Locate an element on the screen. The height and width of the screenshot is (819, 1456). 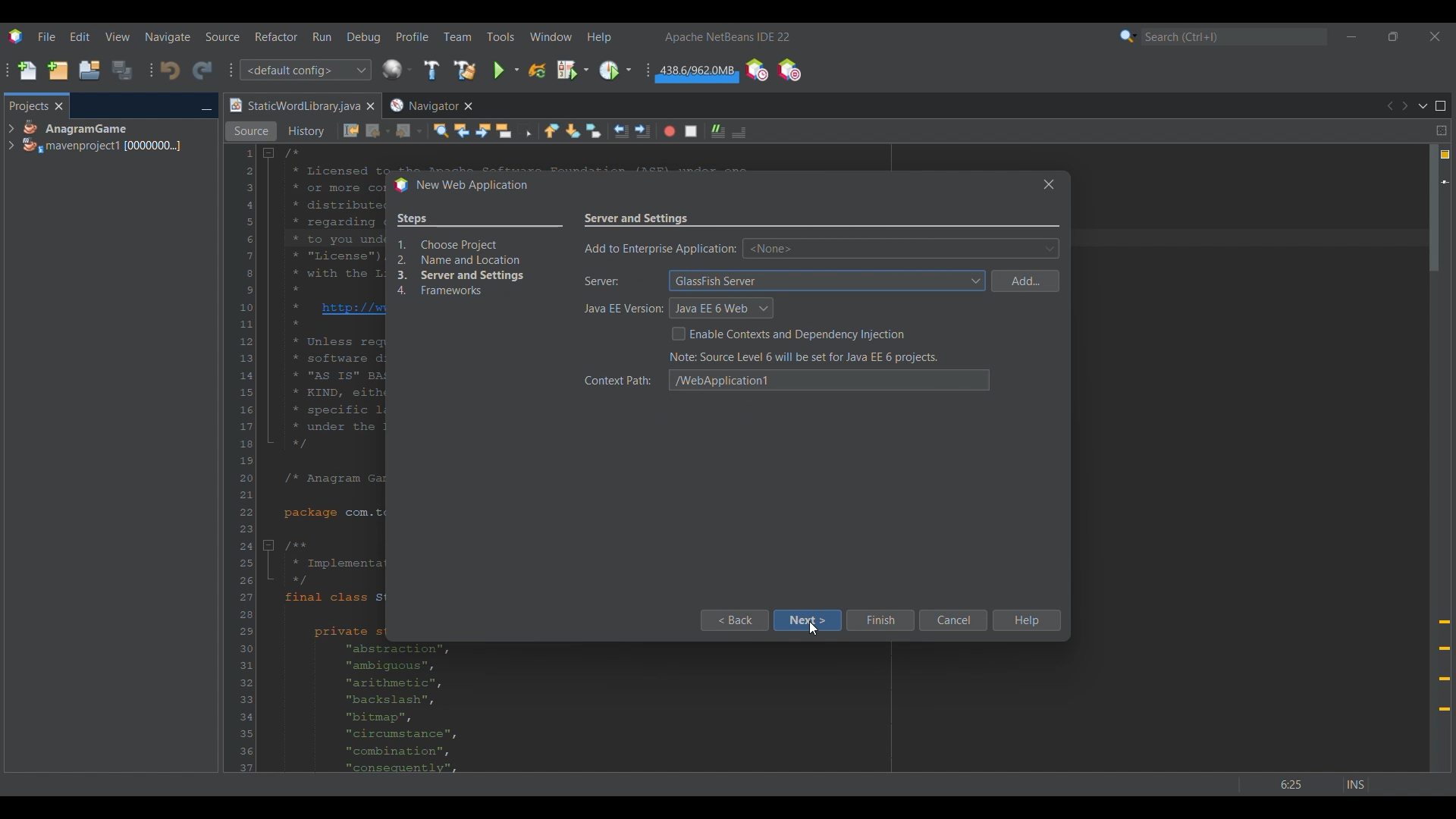
Uncomment is located at coordinates (718, 131).